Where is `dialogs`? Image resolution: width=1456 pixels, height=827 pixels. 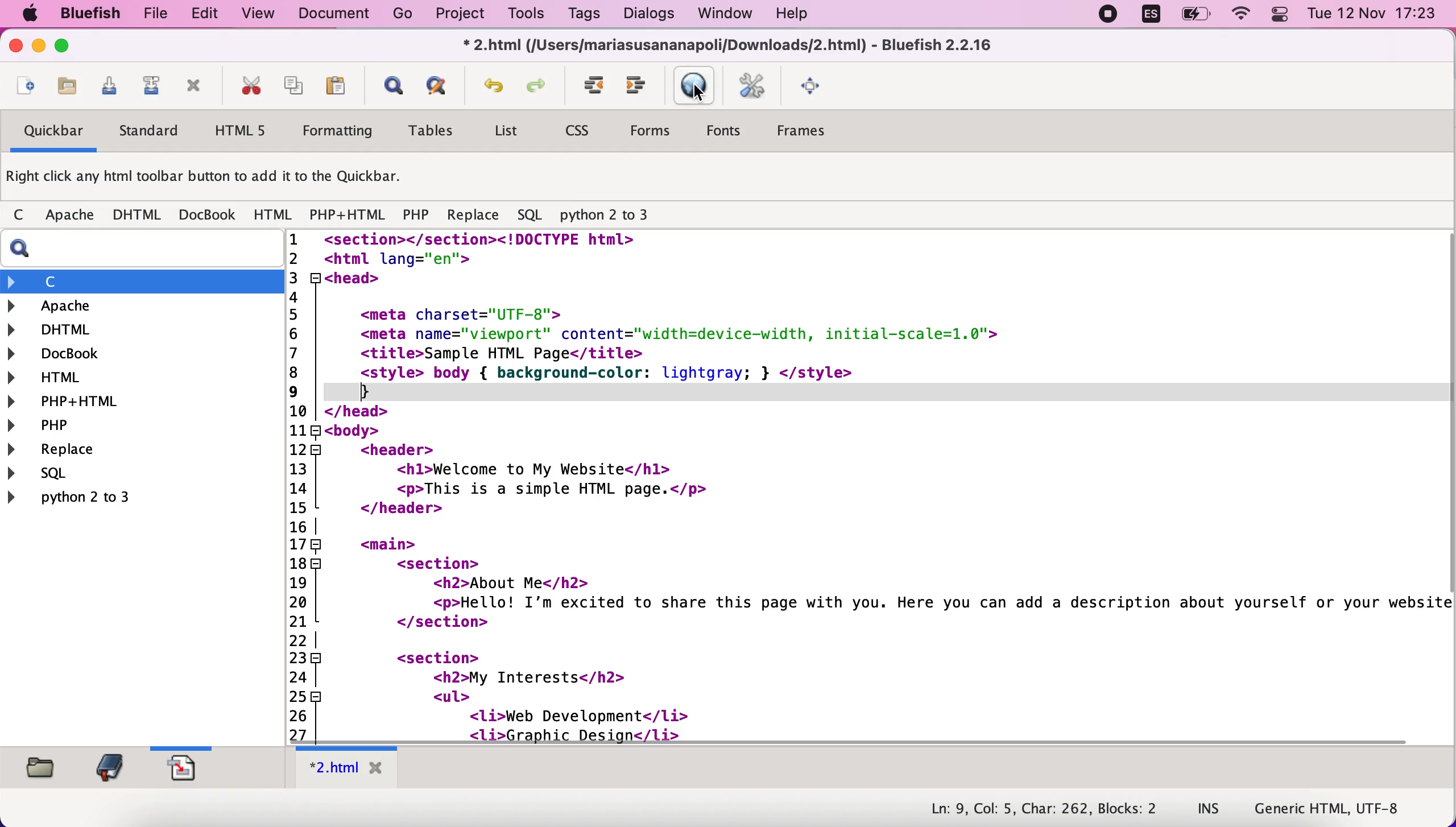 dialogs is located at coordinates (648, 15).